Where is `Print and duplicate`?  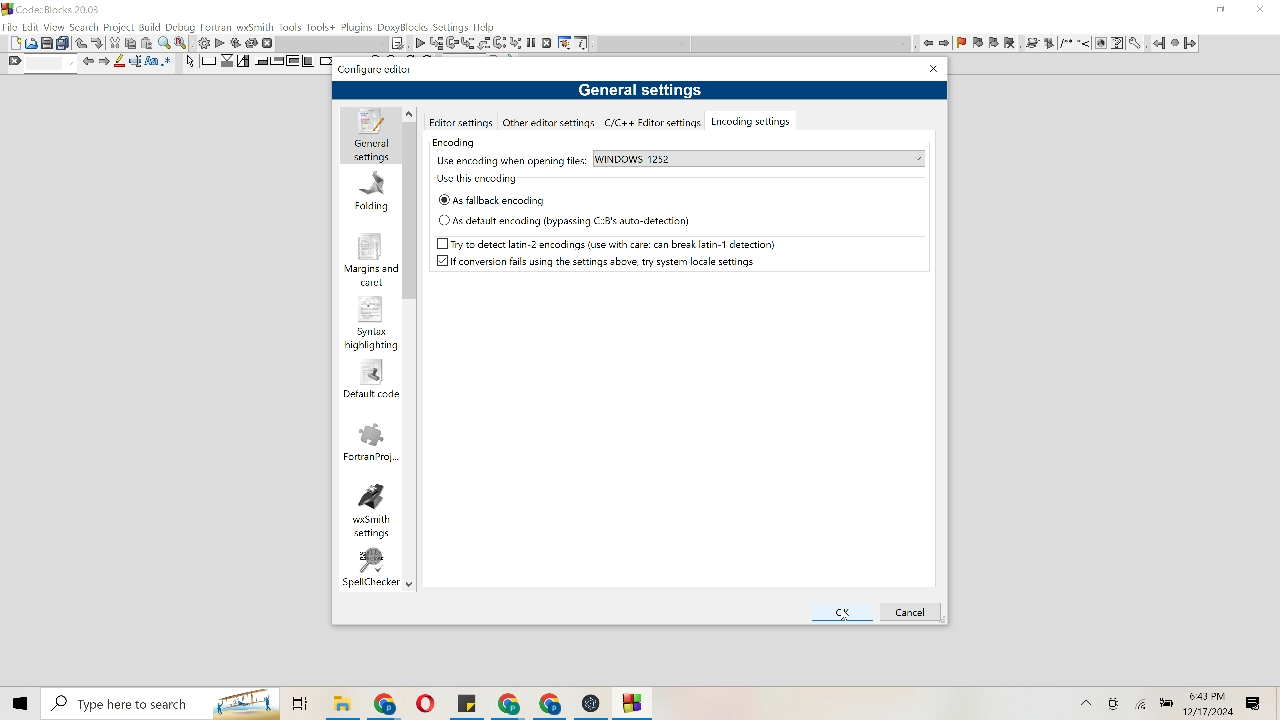
Print and duplicate is located at coordinates (56, 42).